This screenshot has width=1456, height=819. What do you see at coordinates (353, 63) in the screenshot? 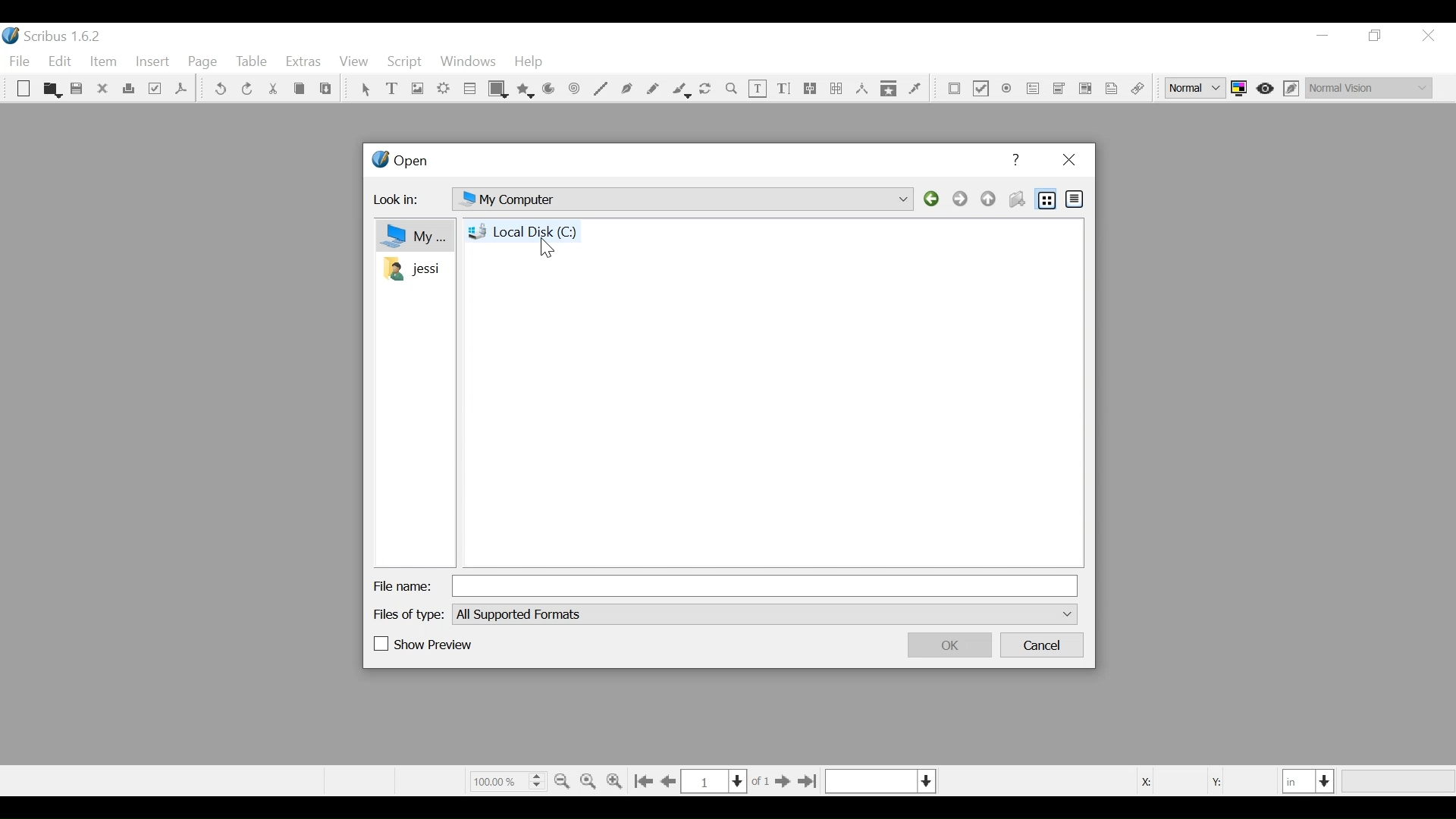
I see `View` at bounding box center [353, 63].